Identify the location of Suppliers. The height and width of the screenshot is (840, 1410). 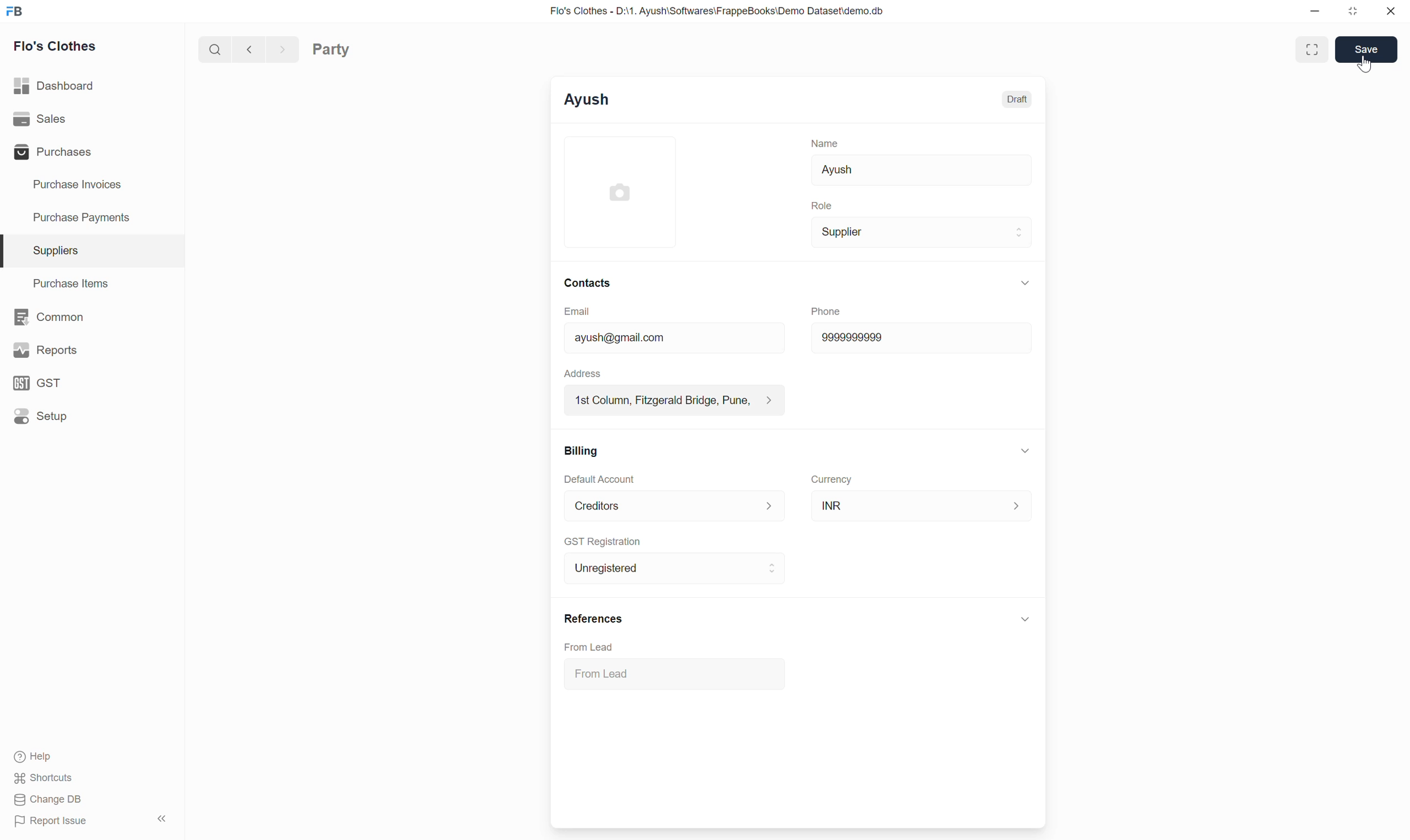
(92, 251).